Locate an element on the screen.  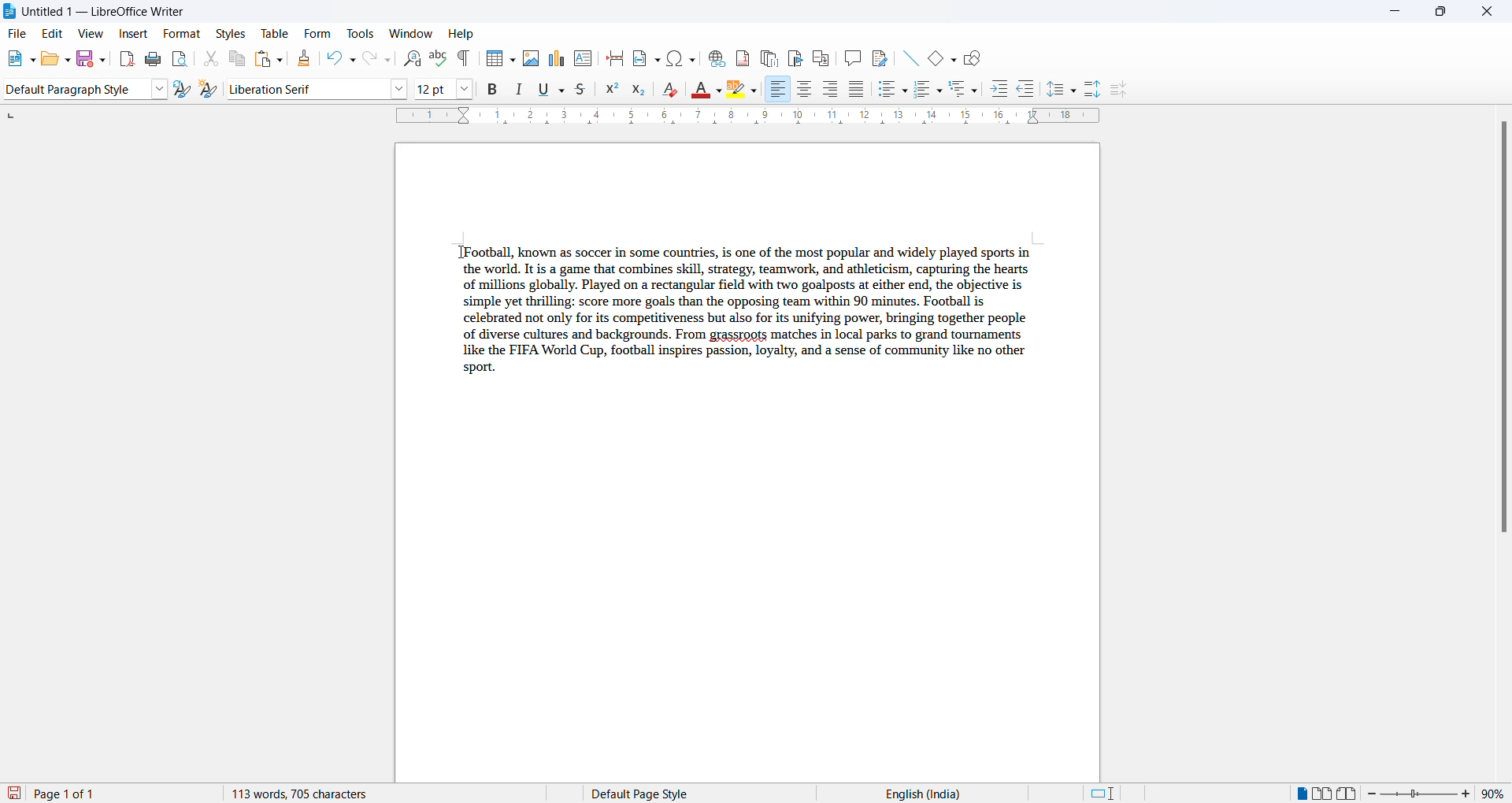
standard selection is located at coordinates (1102, 794).